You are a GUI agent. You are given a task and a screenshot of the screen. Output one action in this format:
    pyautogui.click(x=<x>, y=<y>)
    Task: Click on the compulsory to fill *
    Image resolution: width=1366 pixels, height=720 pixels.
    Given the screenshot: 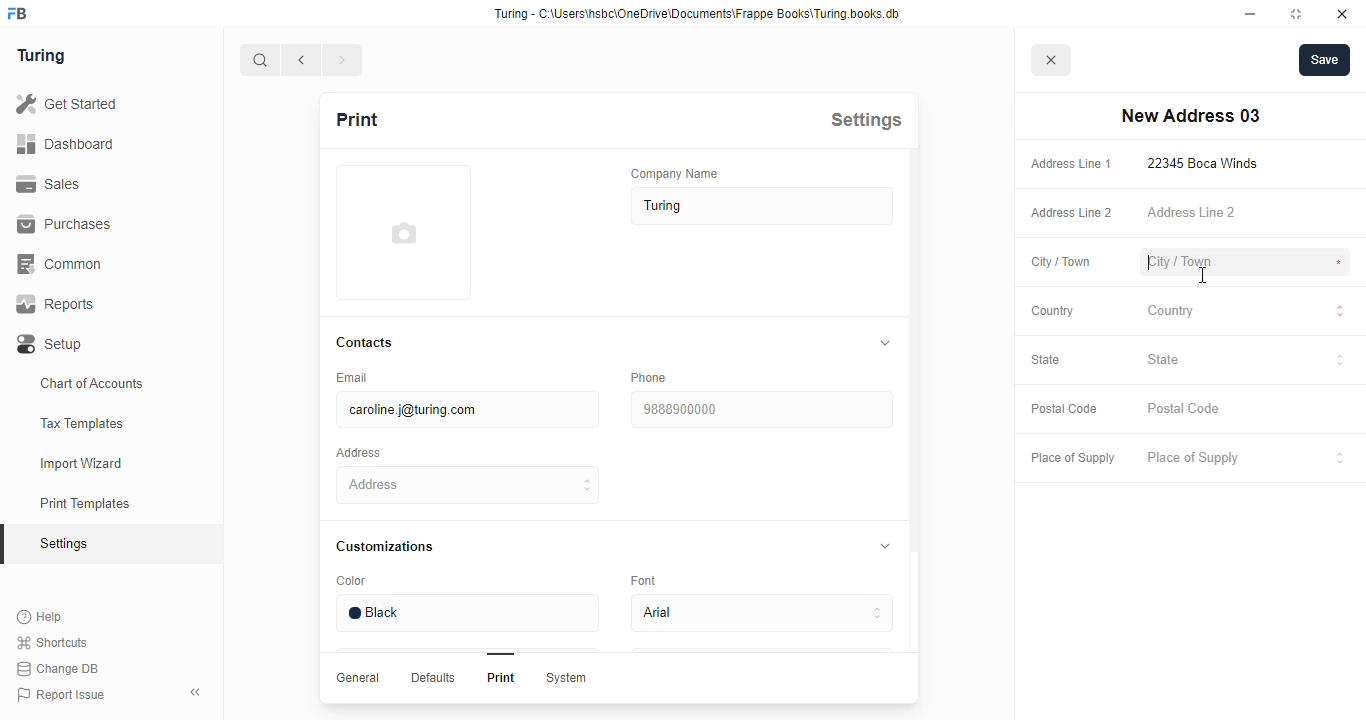 What is the action you would take?
    pyautogui.click(x=1339, y=164)
    